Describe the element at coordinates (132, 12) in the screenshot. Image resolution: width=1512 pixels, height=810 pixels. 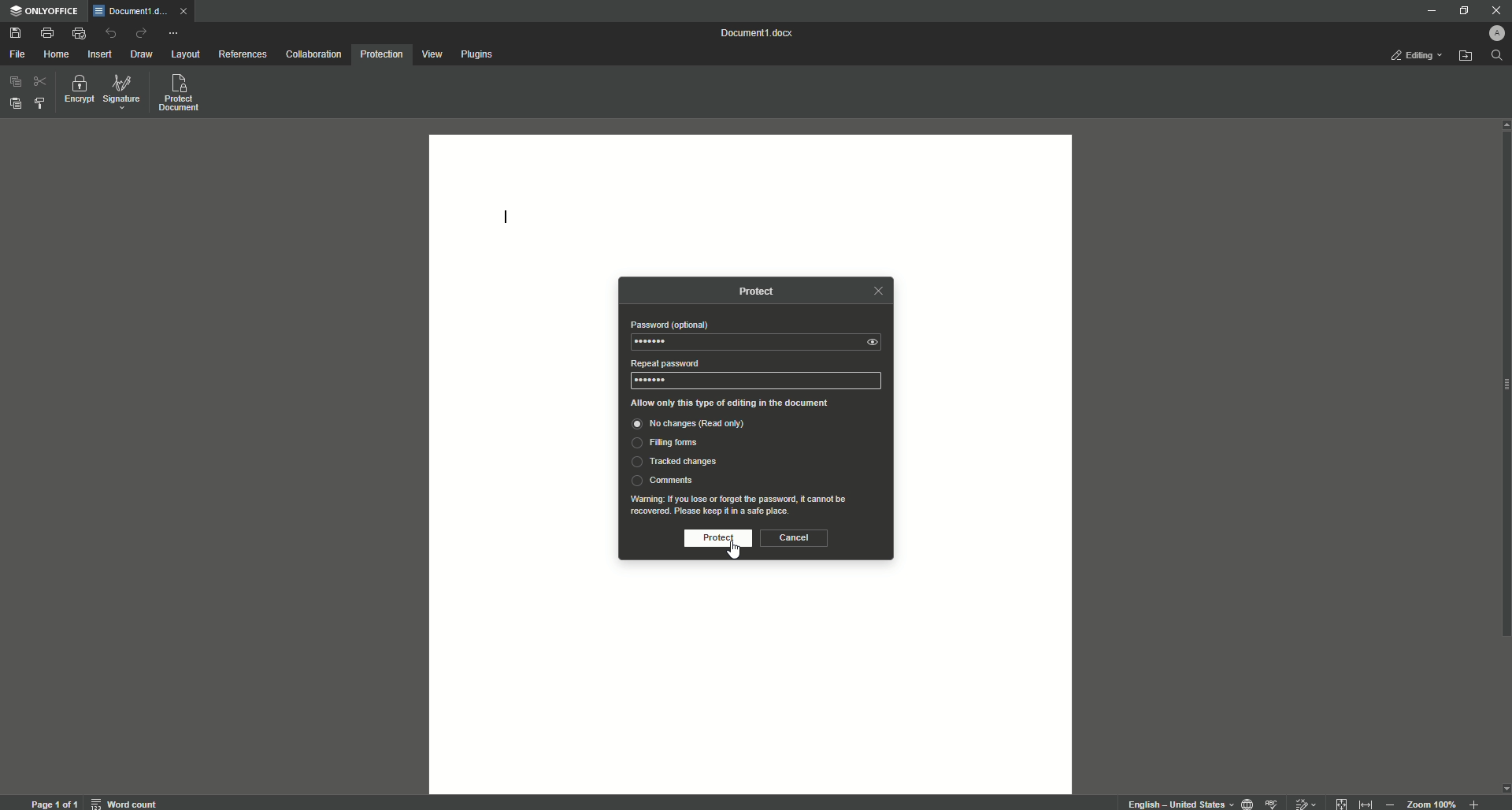
I see `Tab 1` at that location.